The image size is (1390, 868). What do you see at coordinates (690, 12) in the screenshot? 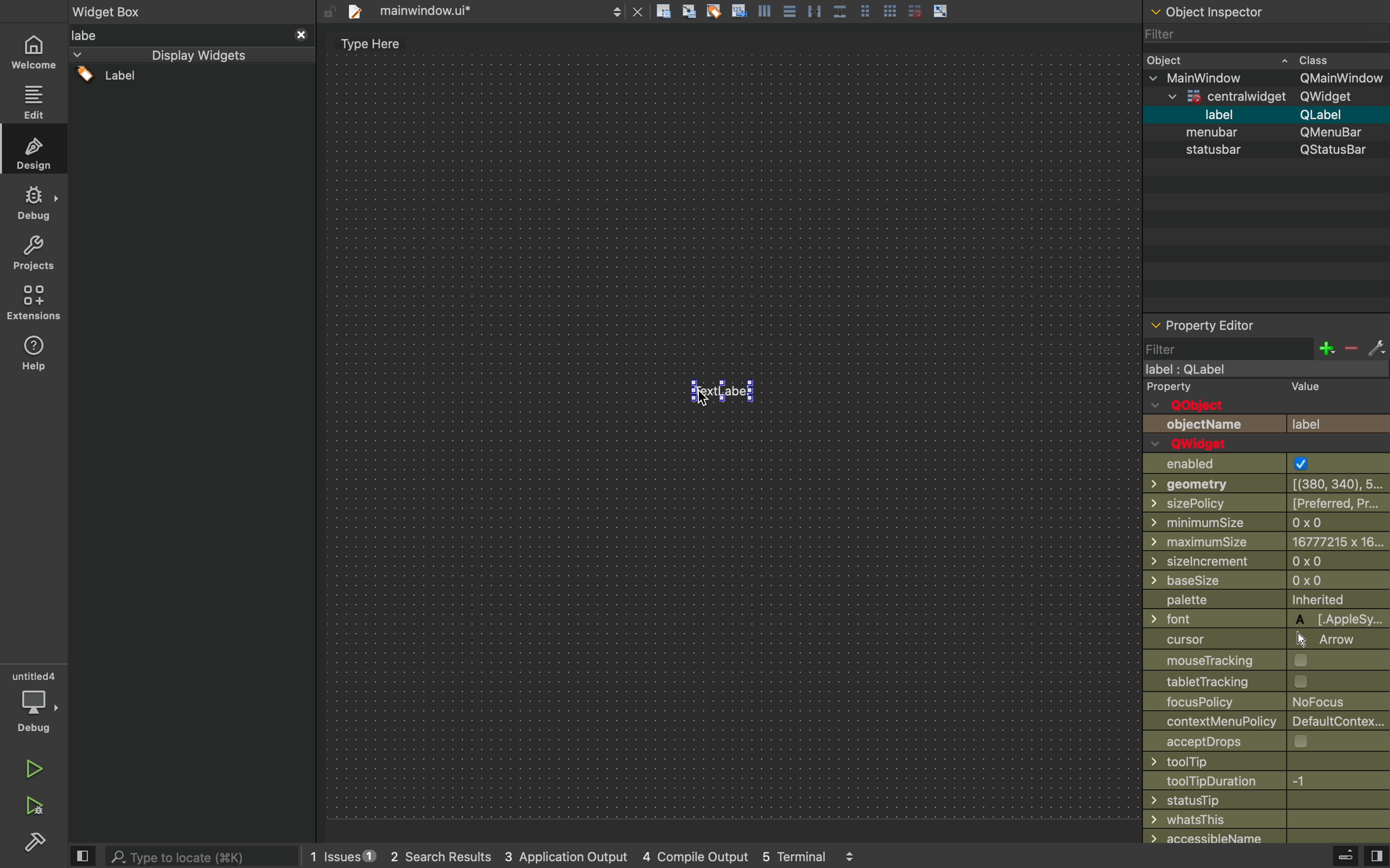
I see `icon` at bounding box center [690, 12].